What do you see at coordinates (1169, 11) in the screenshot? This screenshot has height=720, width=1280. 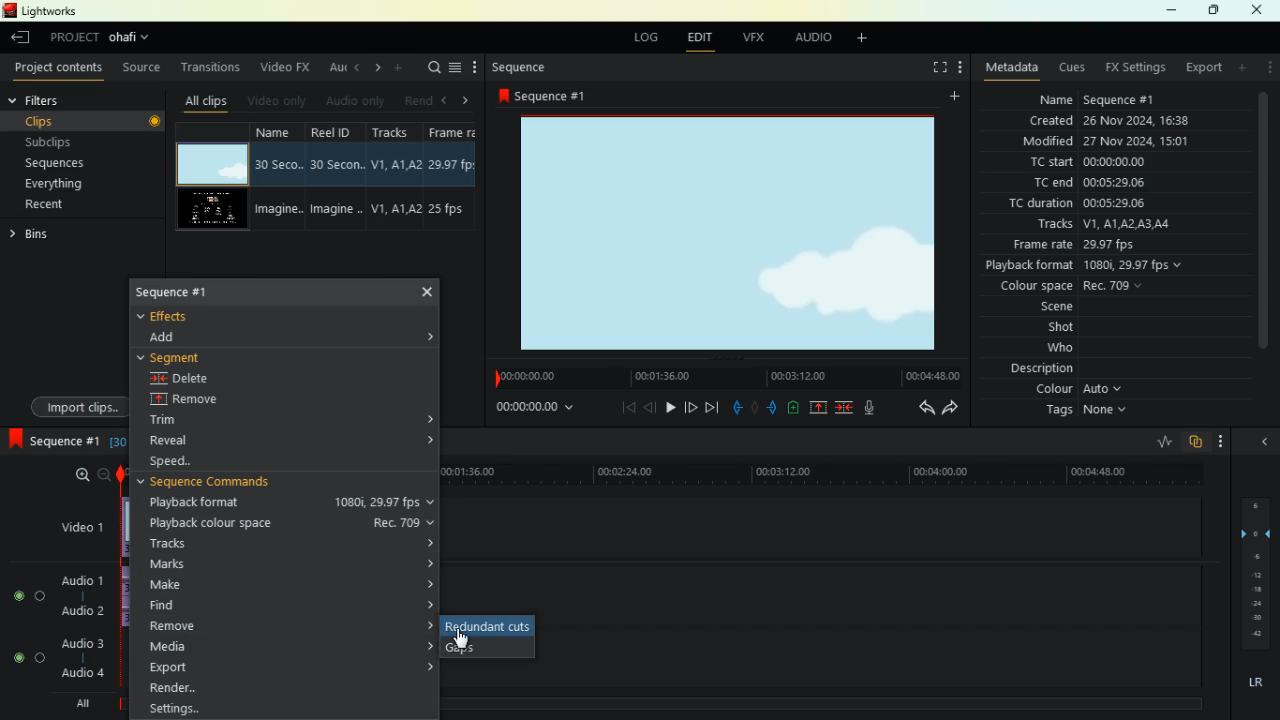 I see `minimize` at bounding box center [1169, 11].